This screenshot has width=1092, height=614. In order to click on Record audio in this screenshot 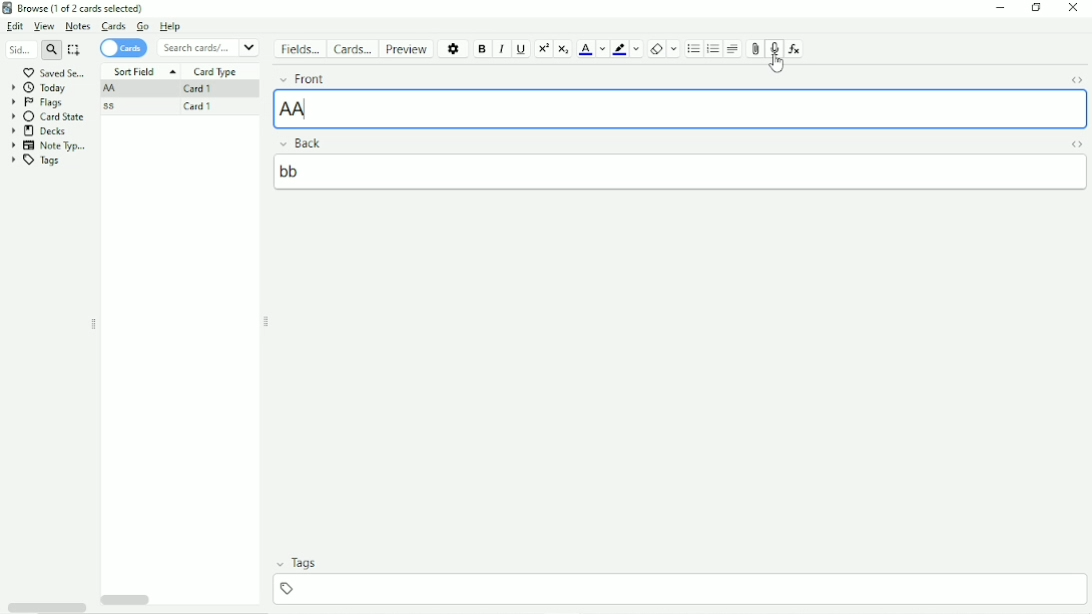, I will do `click(772, 49)`.